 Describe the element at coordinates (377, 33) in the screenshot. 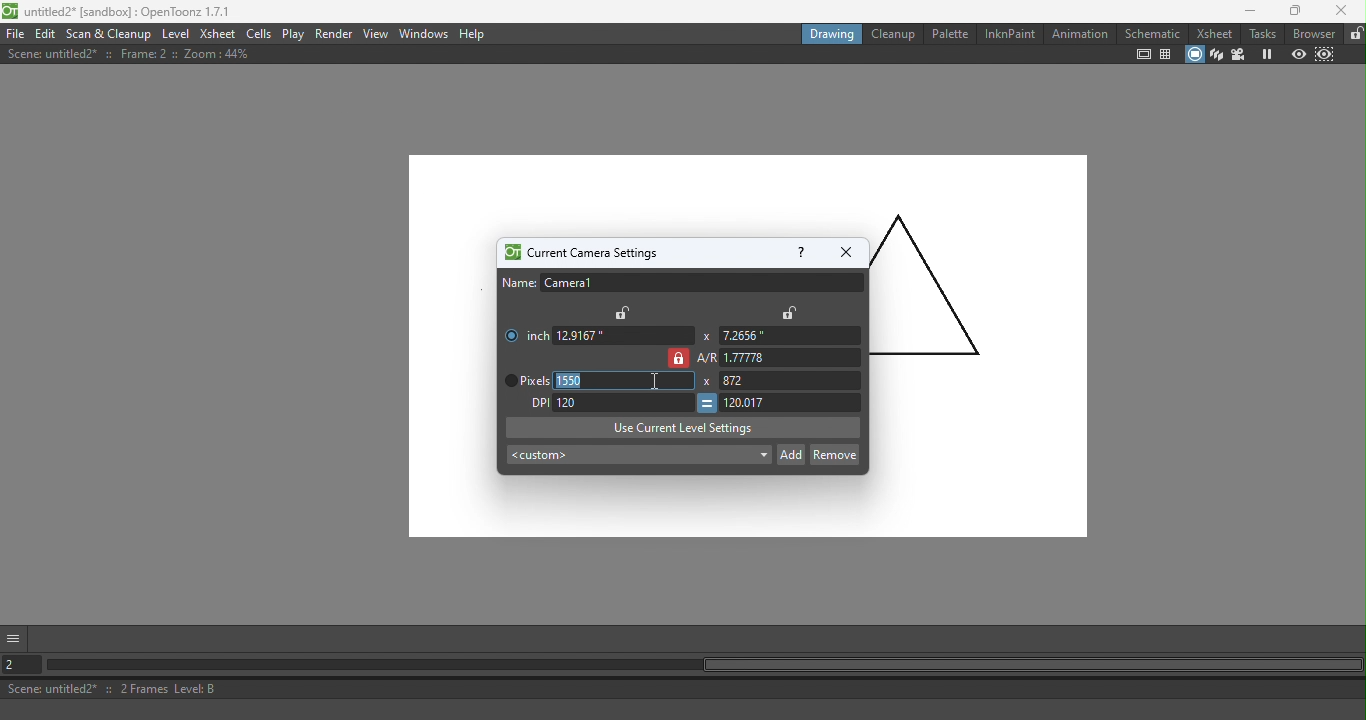

I see `View` at that location.